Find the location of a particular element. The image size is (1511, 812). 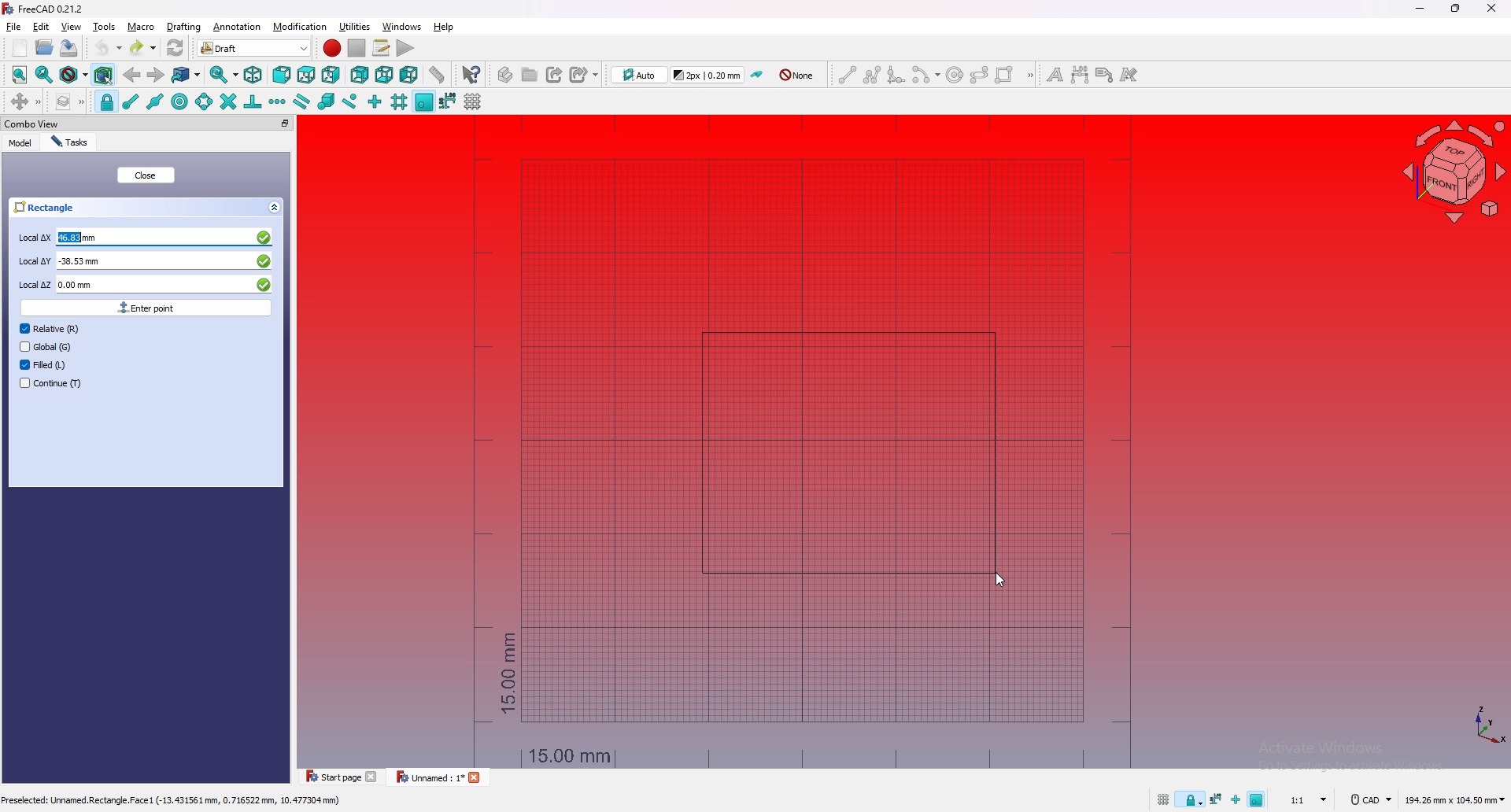

local Δz is located at coordinates (34, 286).